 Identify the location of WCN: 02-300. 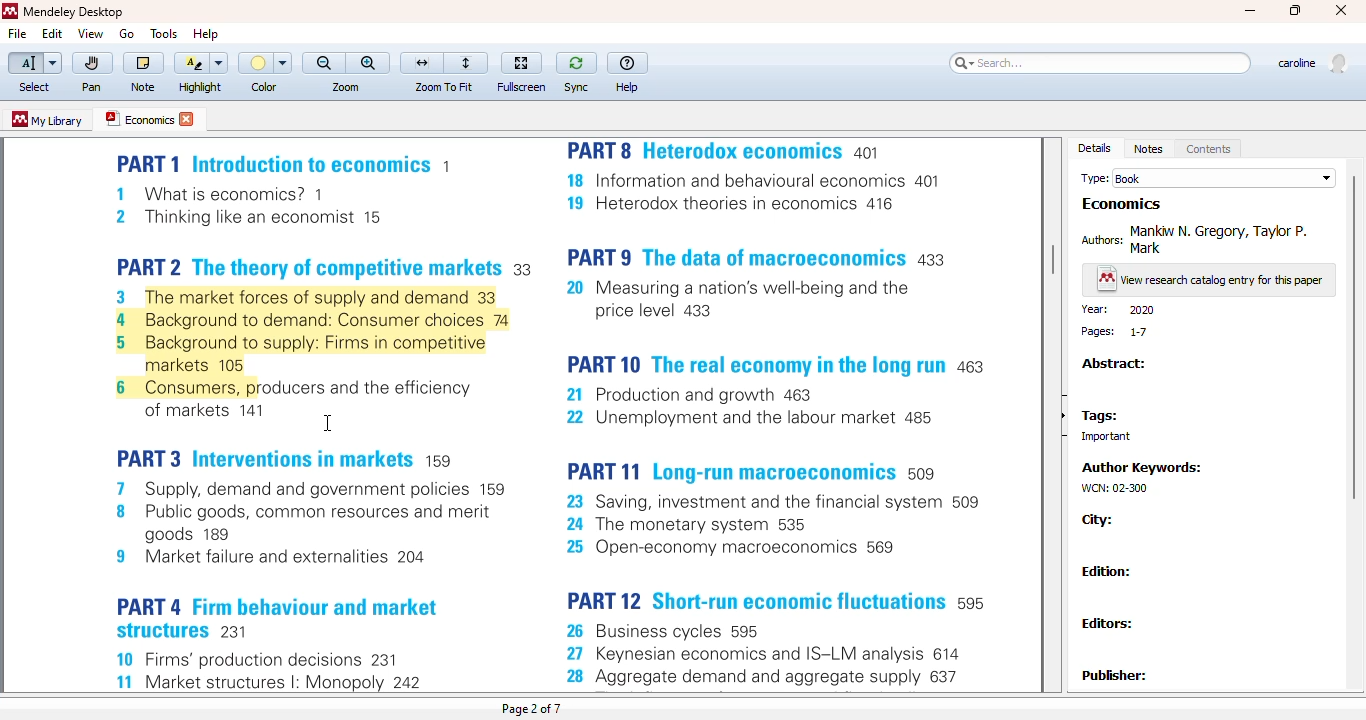
(1112, 488).